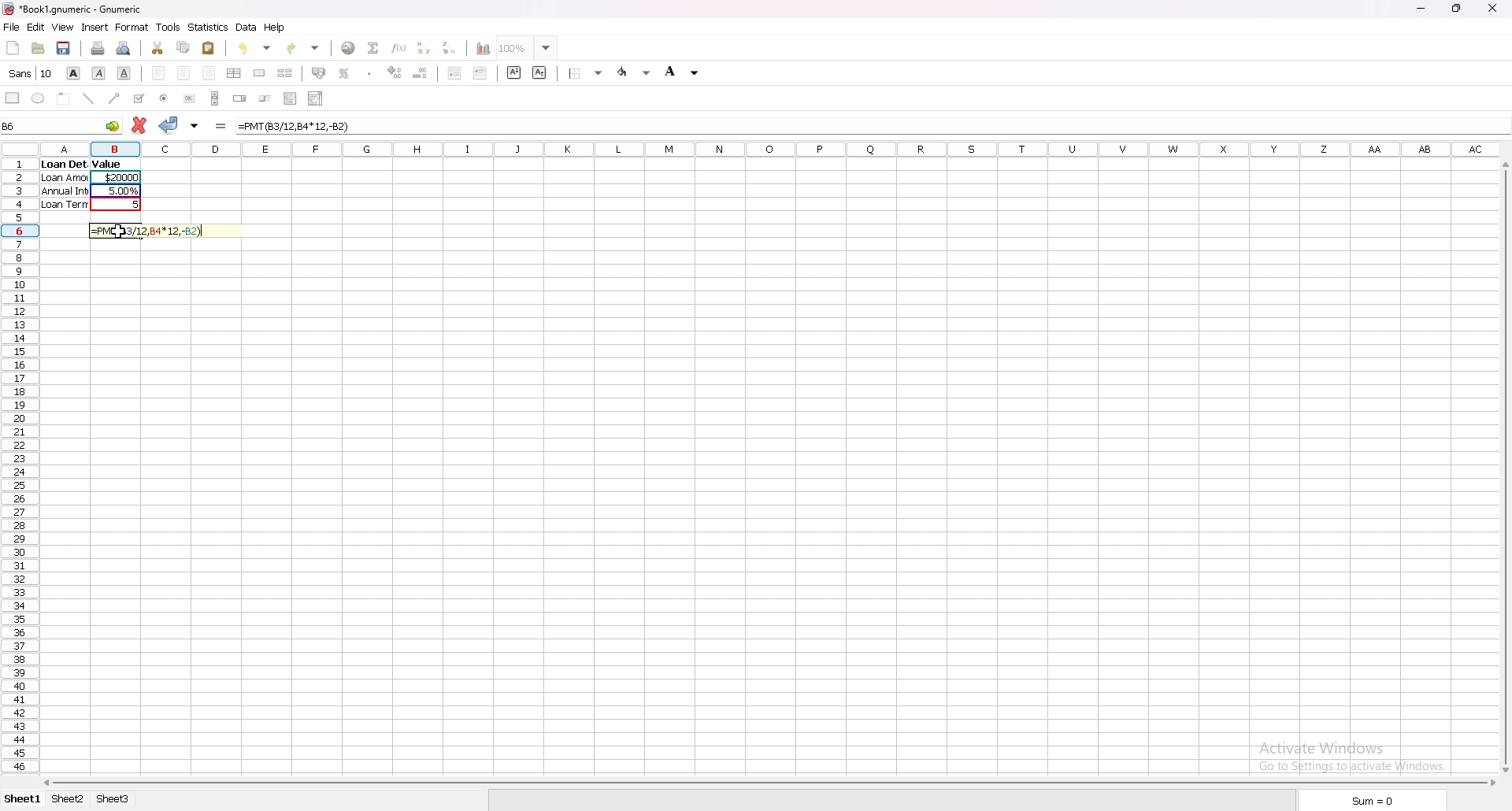  Describe the element at coordinates (235, 73) in the screenshot. I see `centre horizontally` at that location.